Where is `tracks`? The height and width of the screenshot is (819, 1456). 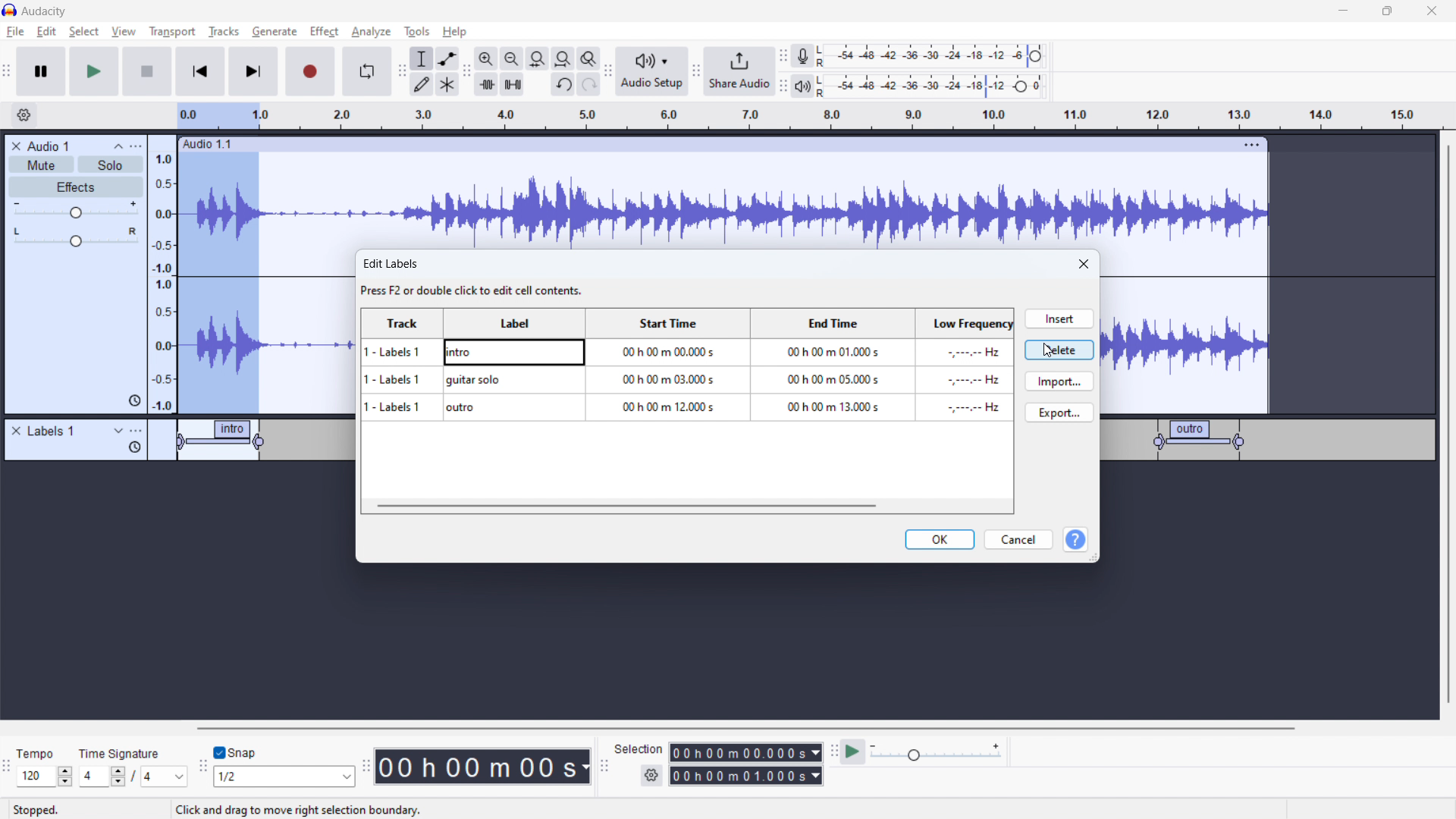 tracks is located at coordinates (225, 33).